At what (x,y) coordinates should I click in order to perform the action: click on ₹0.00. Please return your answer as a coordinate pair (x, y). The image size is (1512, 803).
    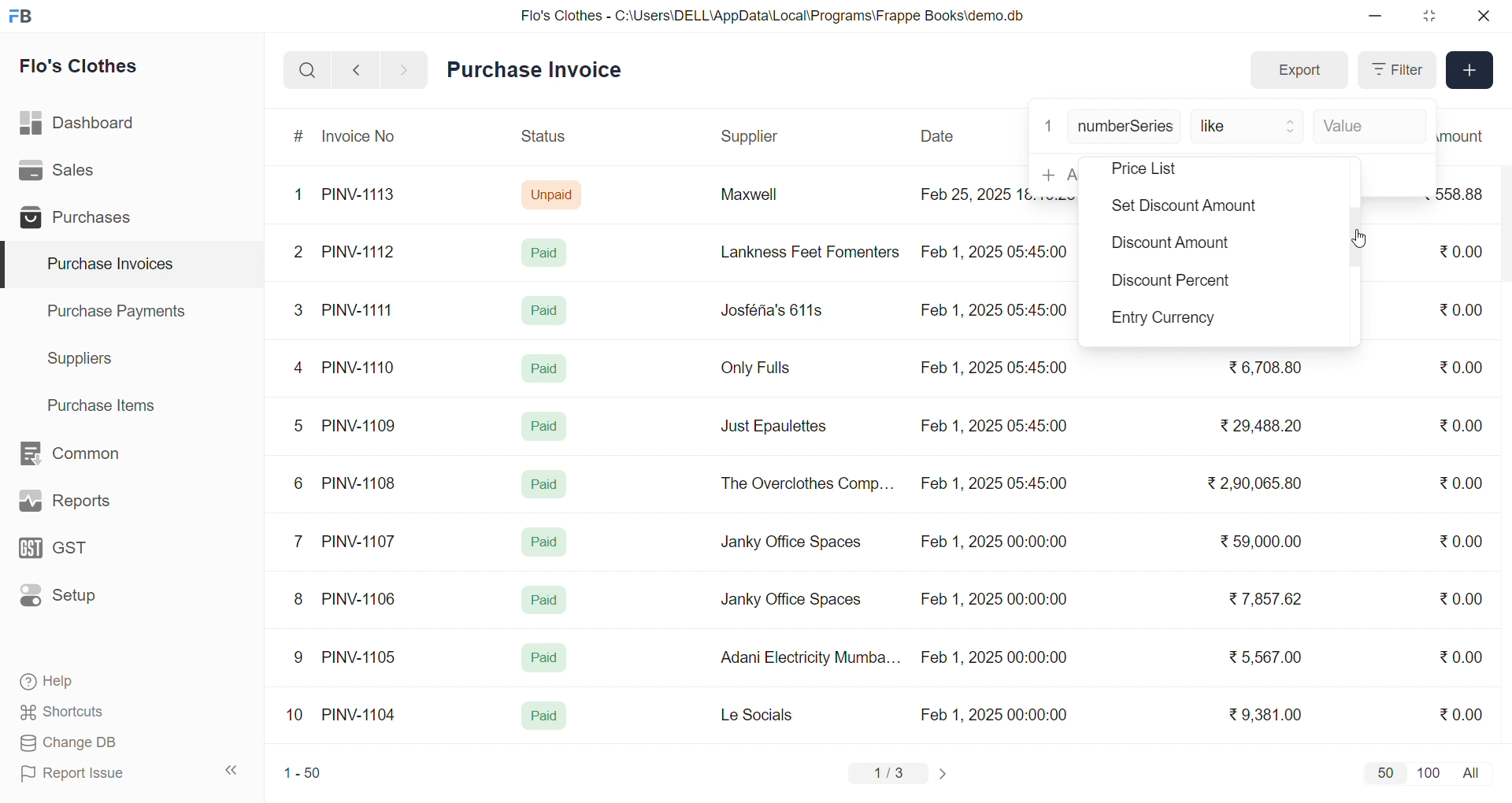
    Looking at the image, I should click on (1461, 367).